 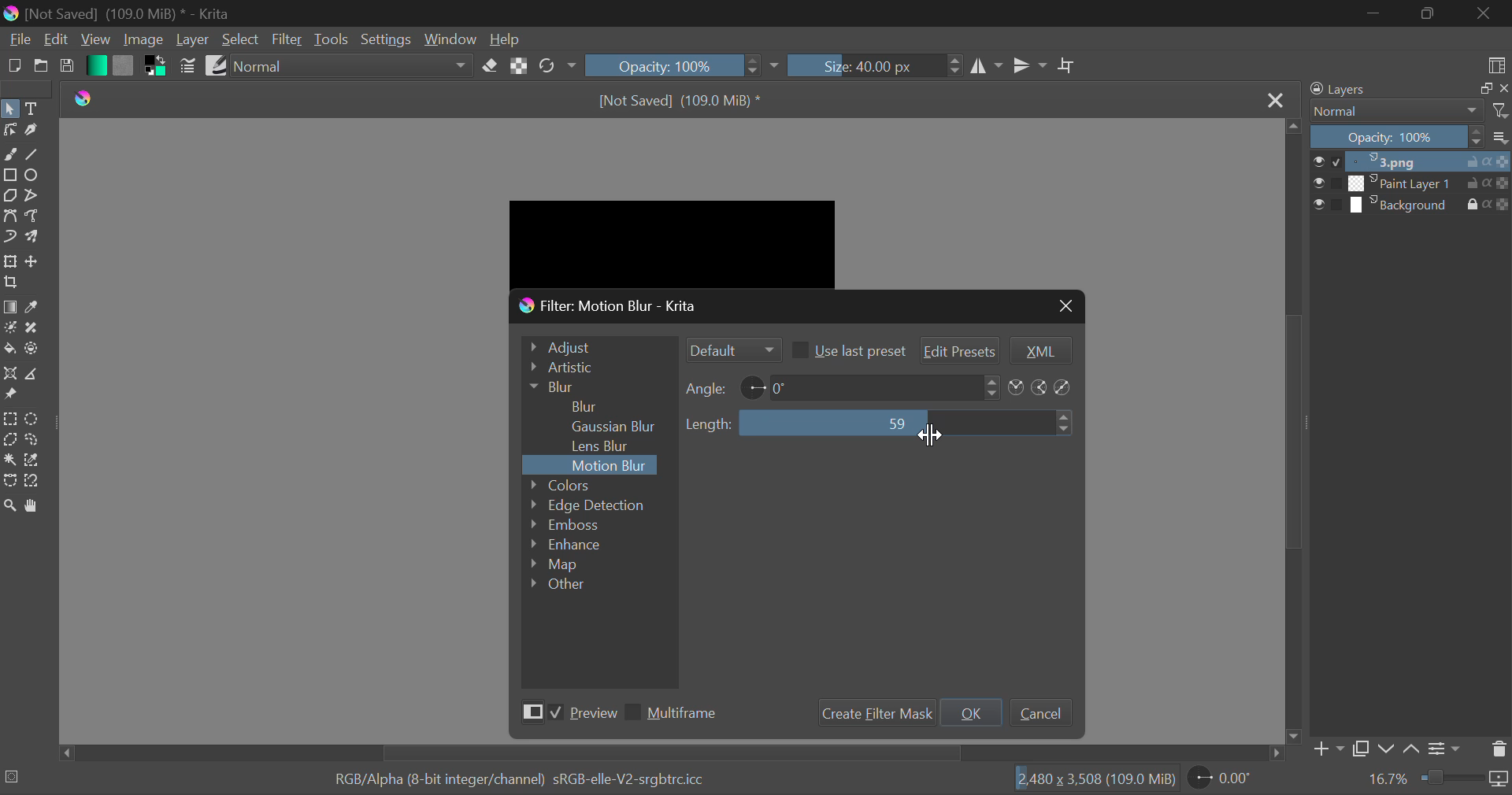 What do you see at coordinates (34, 153) in the screenshot?
I see `Line` at bounding box center [34, 153].